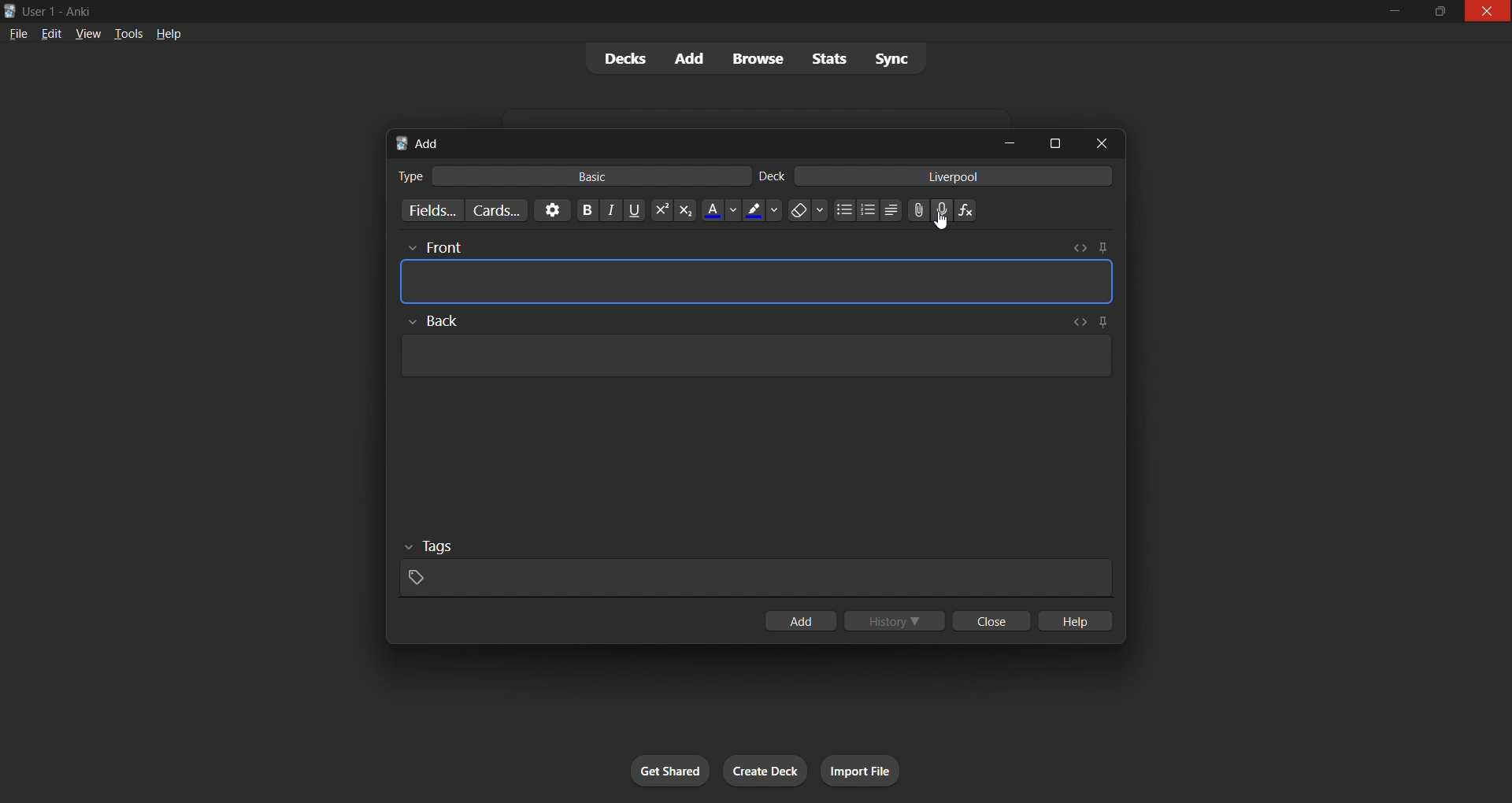 Image resolution: width=1512 pixels, height=803 pixels. Describe the element at coordinates (806, 211) in the screenshot. I see `erase formatting` at that location.